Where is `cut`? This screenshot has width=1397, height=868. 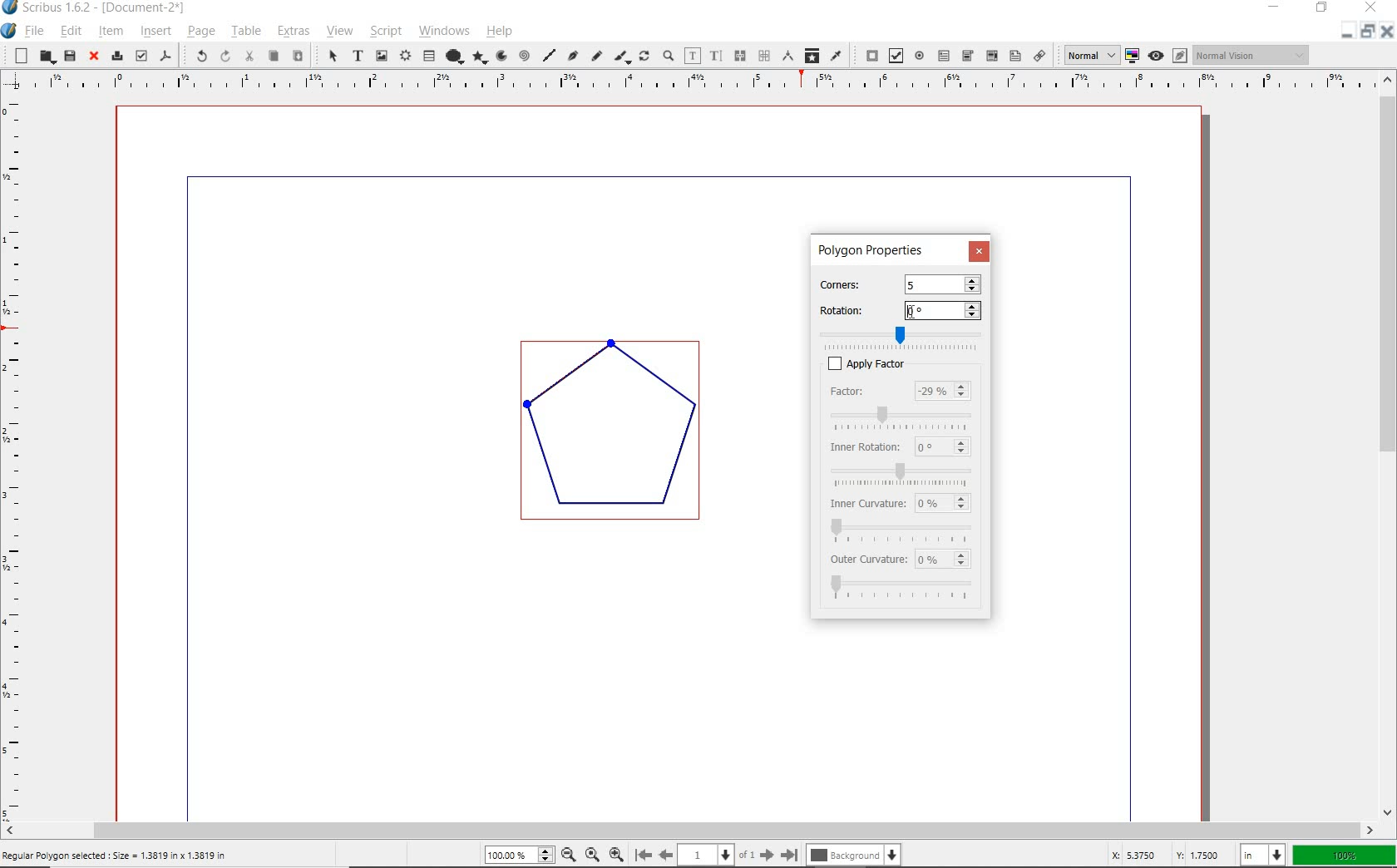
cut is located at coordinates (251, 57).